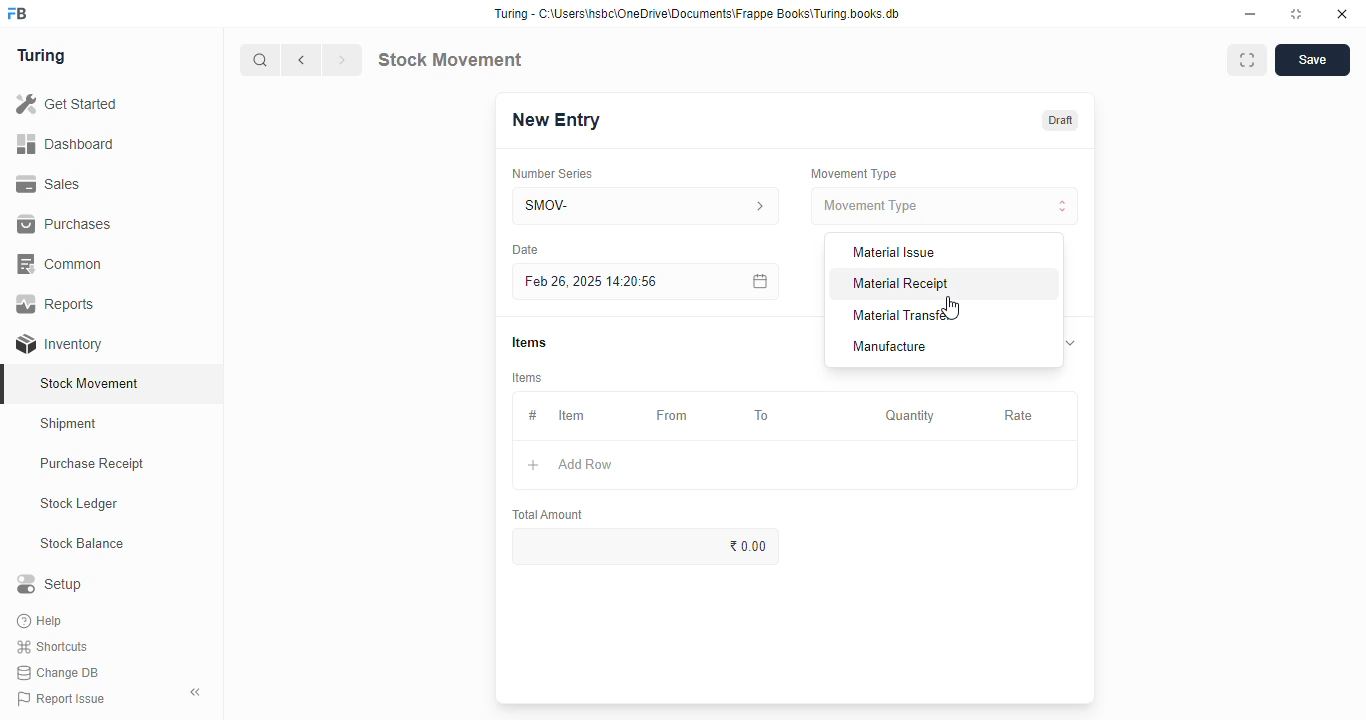  Describe the element at coordinates (52, 647) in the screenshot. I see `shortcuts` at that location.